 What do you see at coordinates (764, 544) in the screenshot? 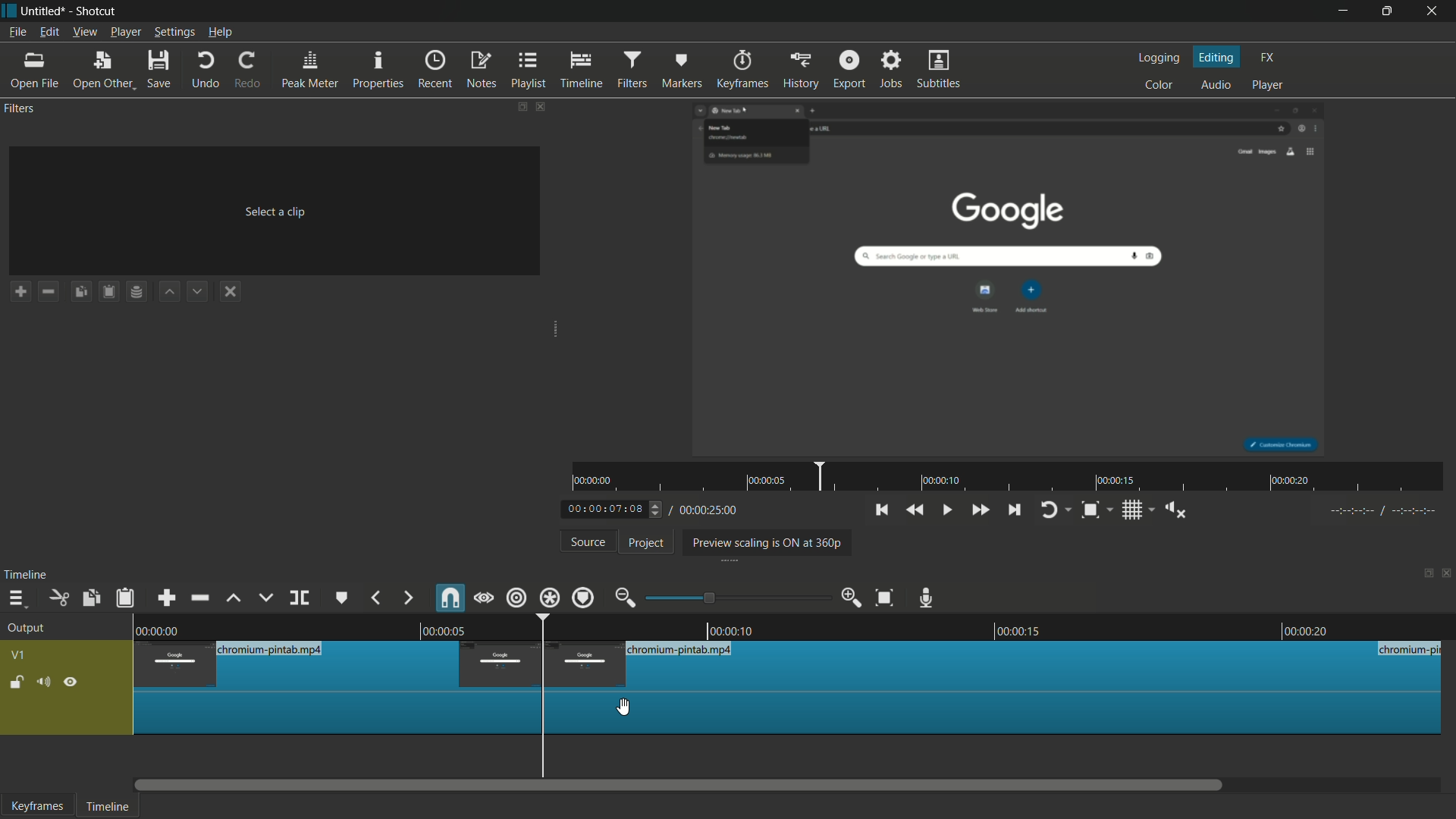
I see `preview scaling is on at 360p` at bounding box center [764, 544].